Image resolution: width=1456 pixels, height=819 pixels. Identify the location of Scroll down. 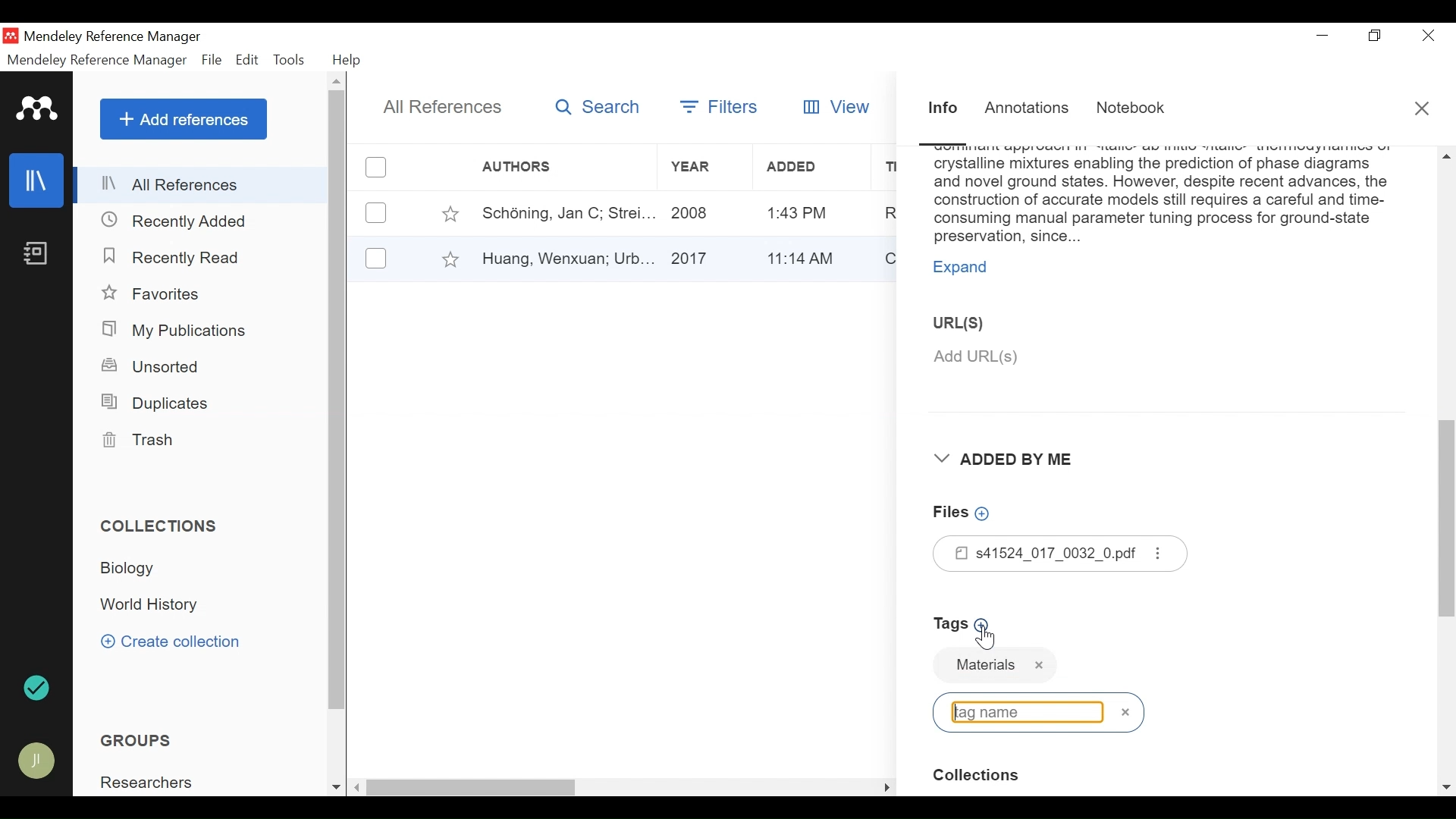
(336, 789).